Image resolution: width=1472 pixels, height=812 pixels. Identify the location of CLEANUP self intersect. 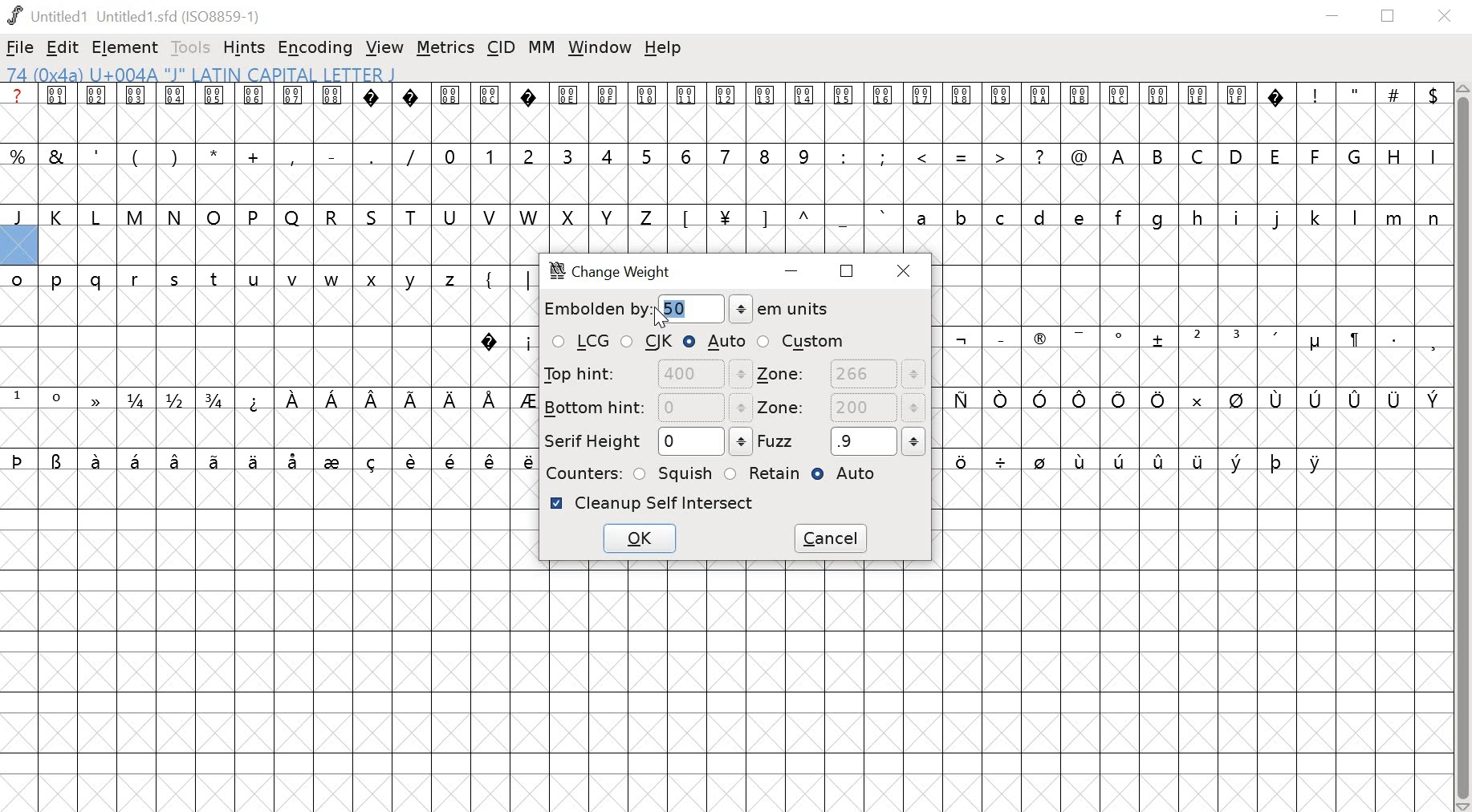
(653, 503).